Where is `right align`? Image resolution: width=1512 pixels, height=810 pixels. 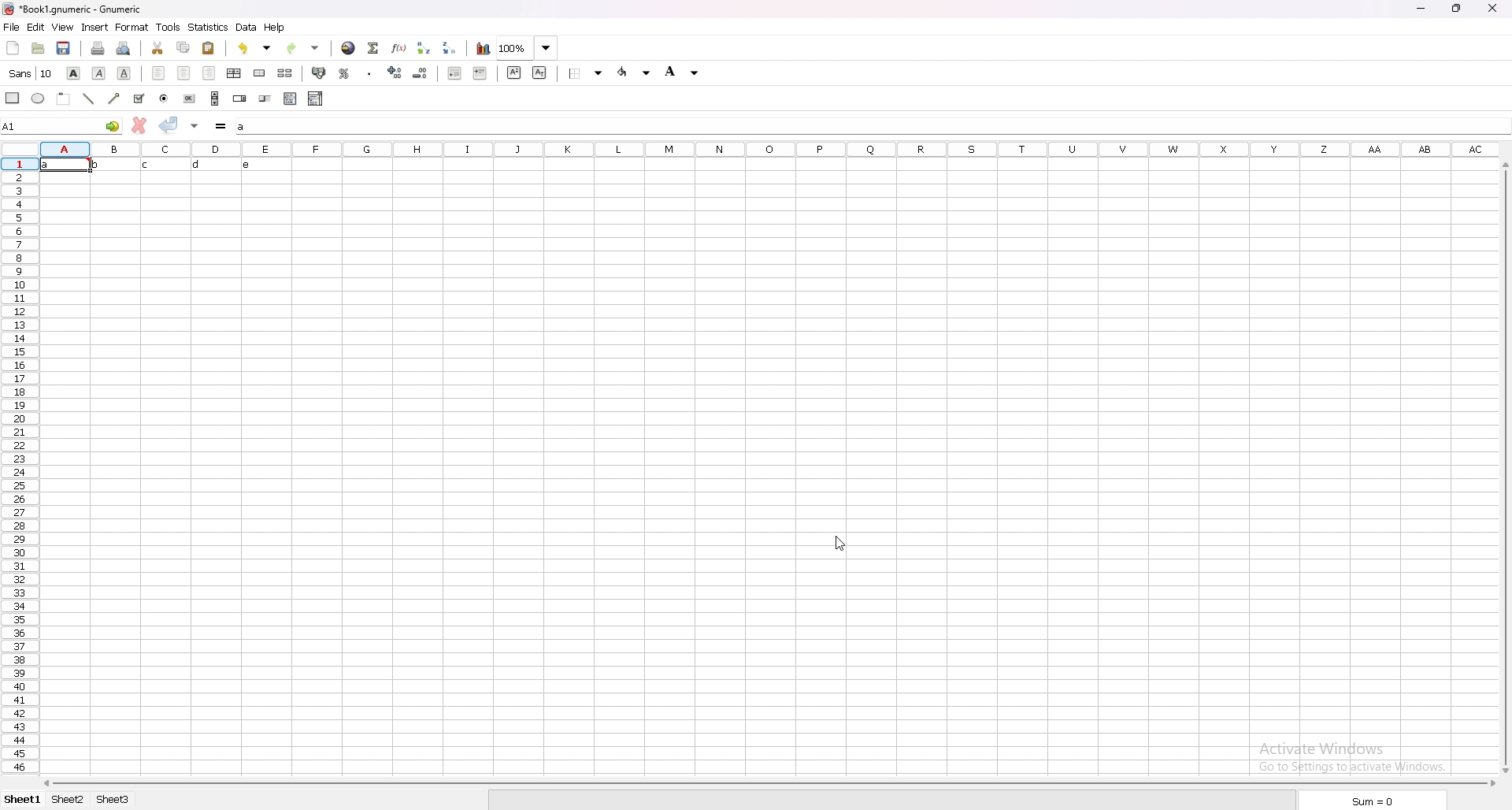 right align is located at coordinates (209, 73).